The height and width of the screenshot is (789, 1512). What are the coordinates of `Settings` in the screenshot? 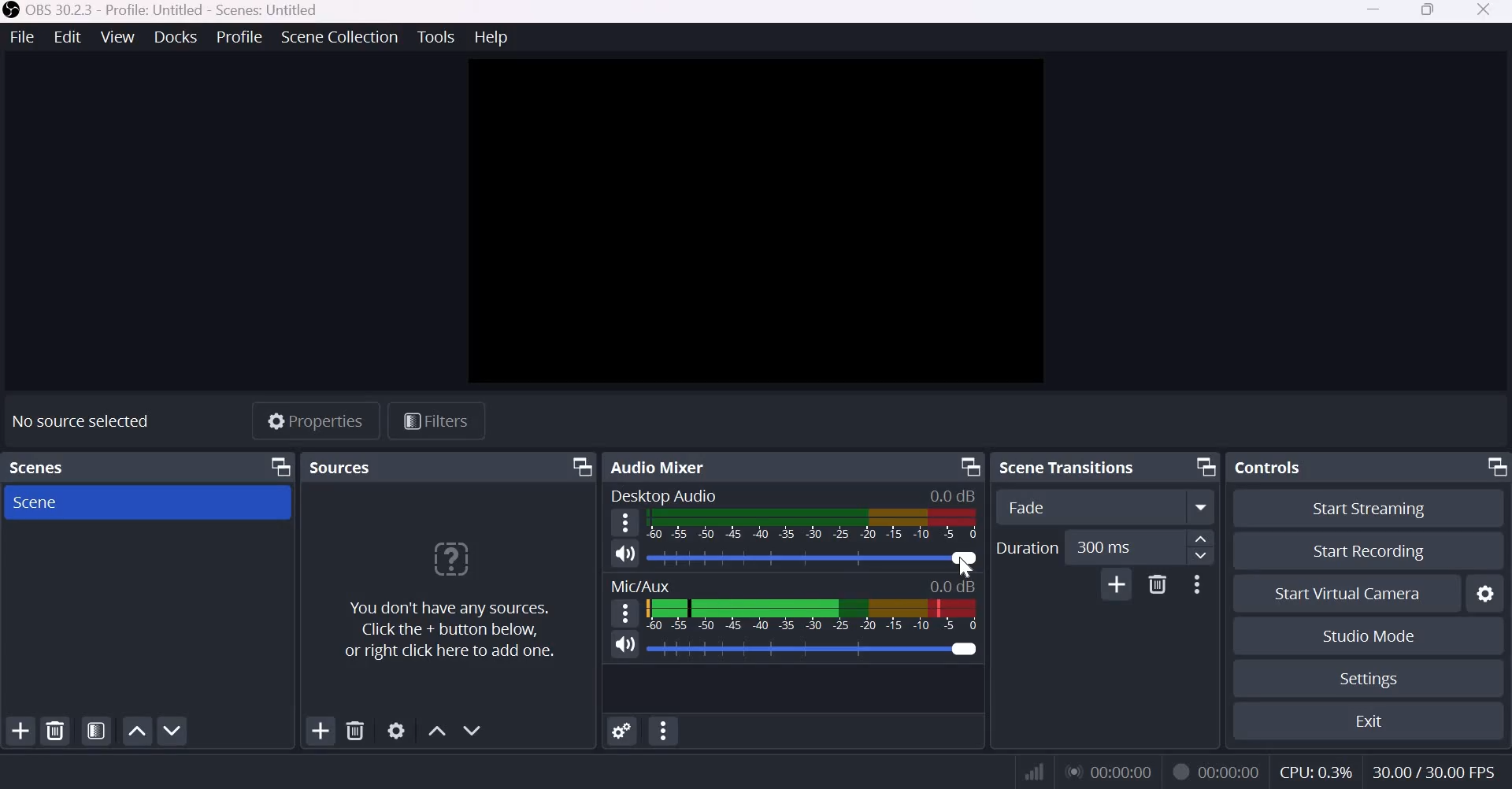 It's located at (1369, 679).